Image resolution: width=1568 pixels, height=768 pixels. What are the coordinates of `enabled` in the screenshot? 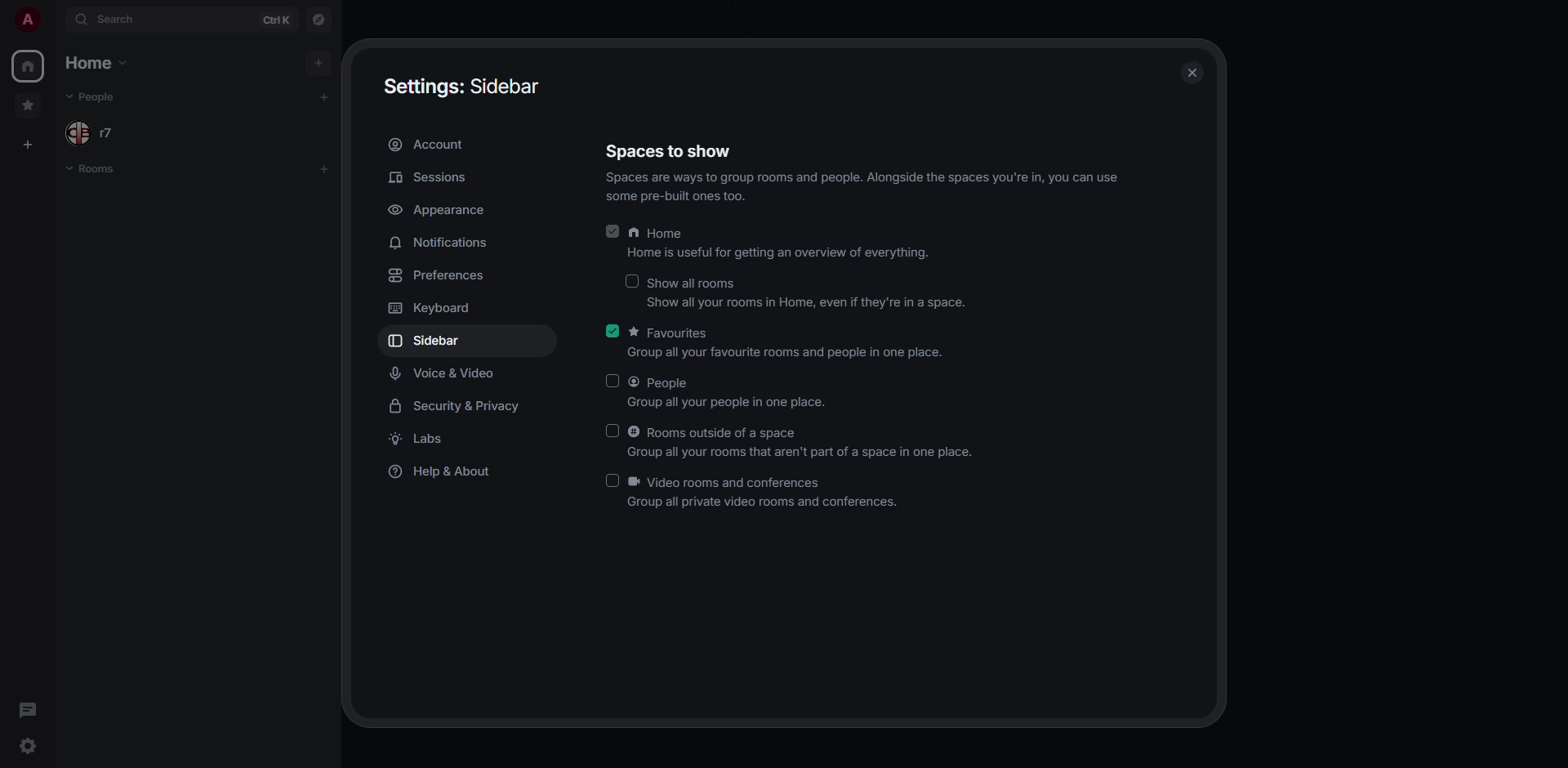 It's located at (613, 231).